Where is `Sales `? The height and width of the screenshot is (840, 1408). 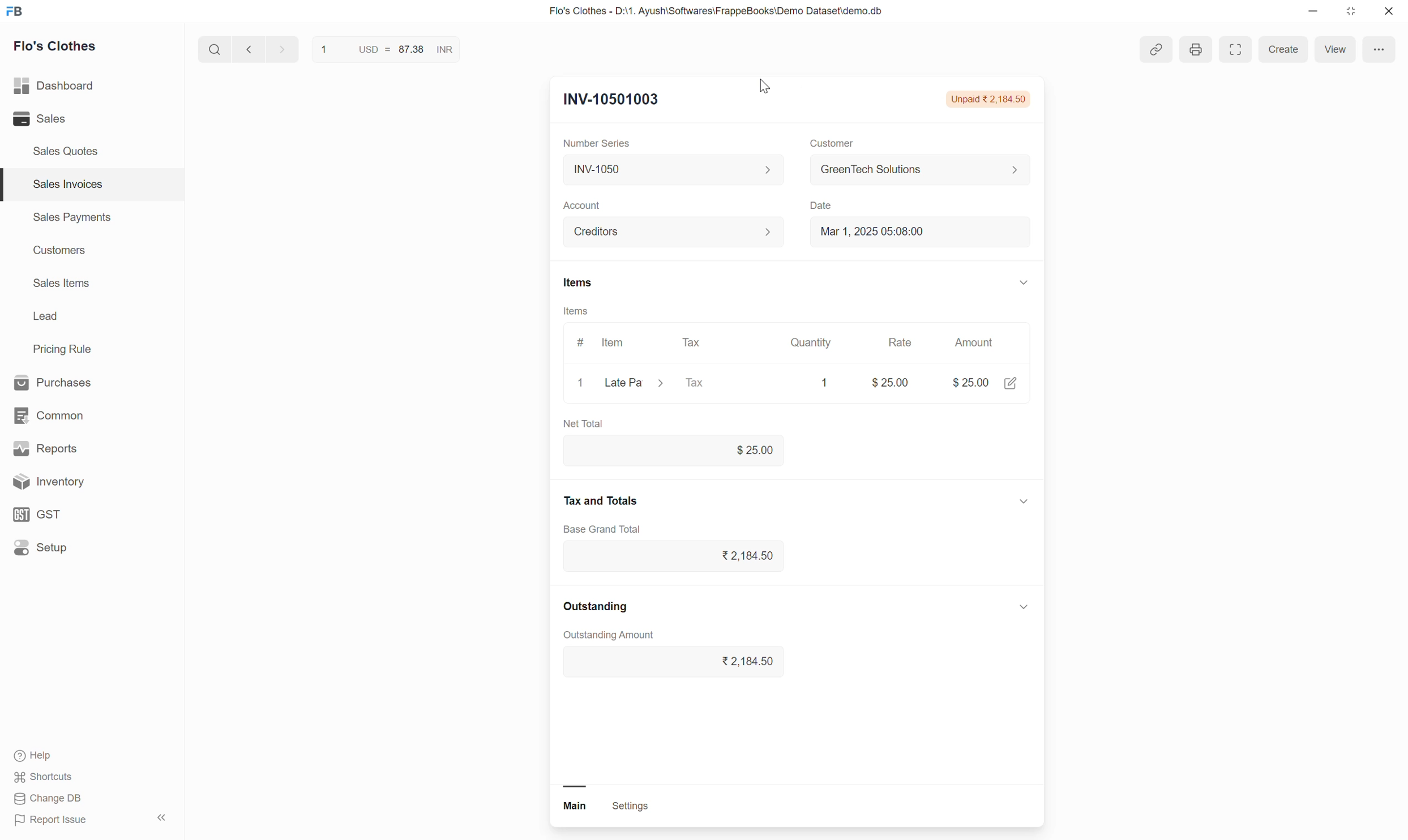
Sales  is located at coordinates (64, 119).